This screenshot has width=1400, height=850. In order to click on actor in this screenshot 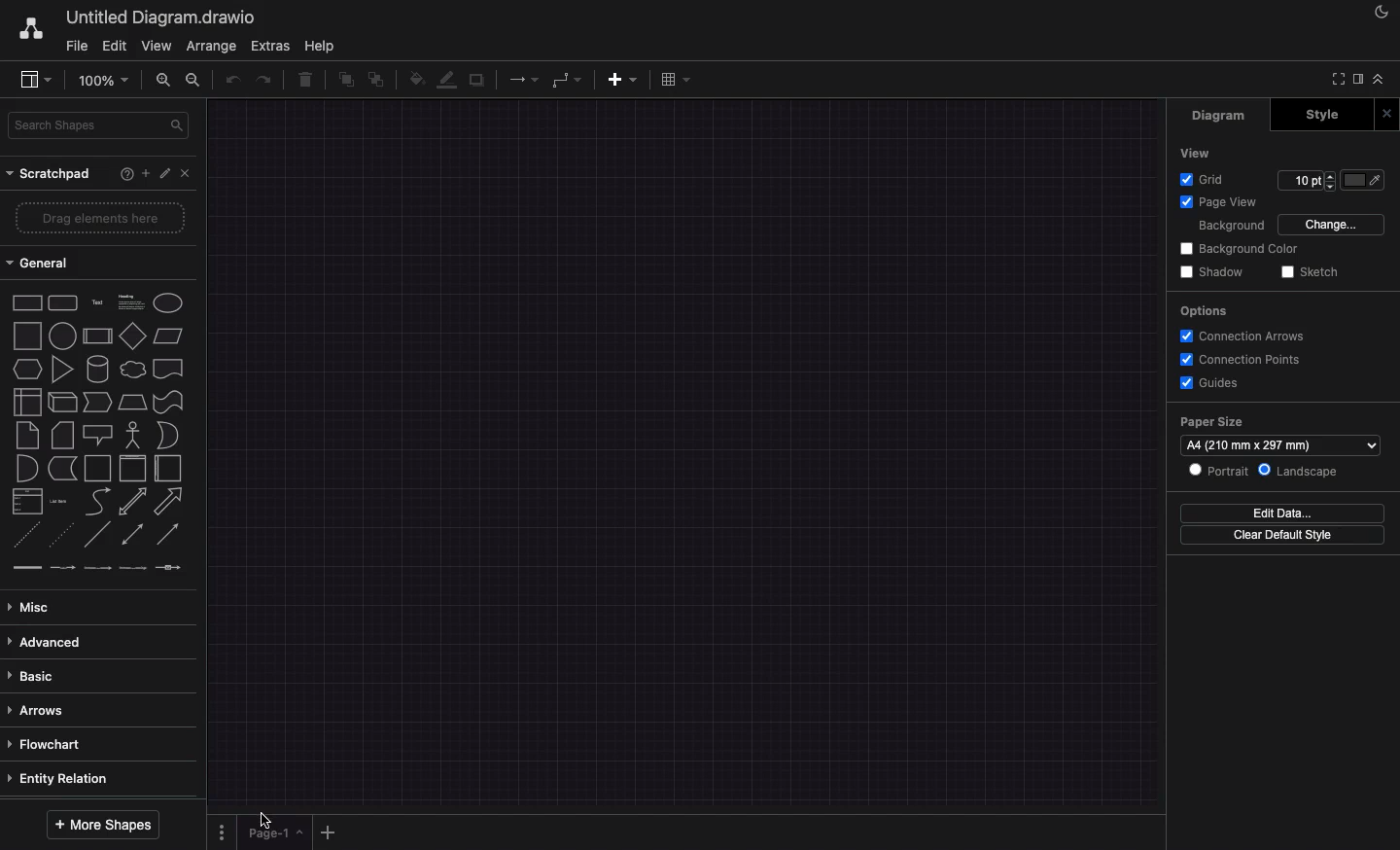, I will do `click(132, 436)`.